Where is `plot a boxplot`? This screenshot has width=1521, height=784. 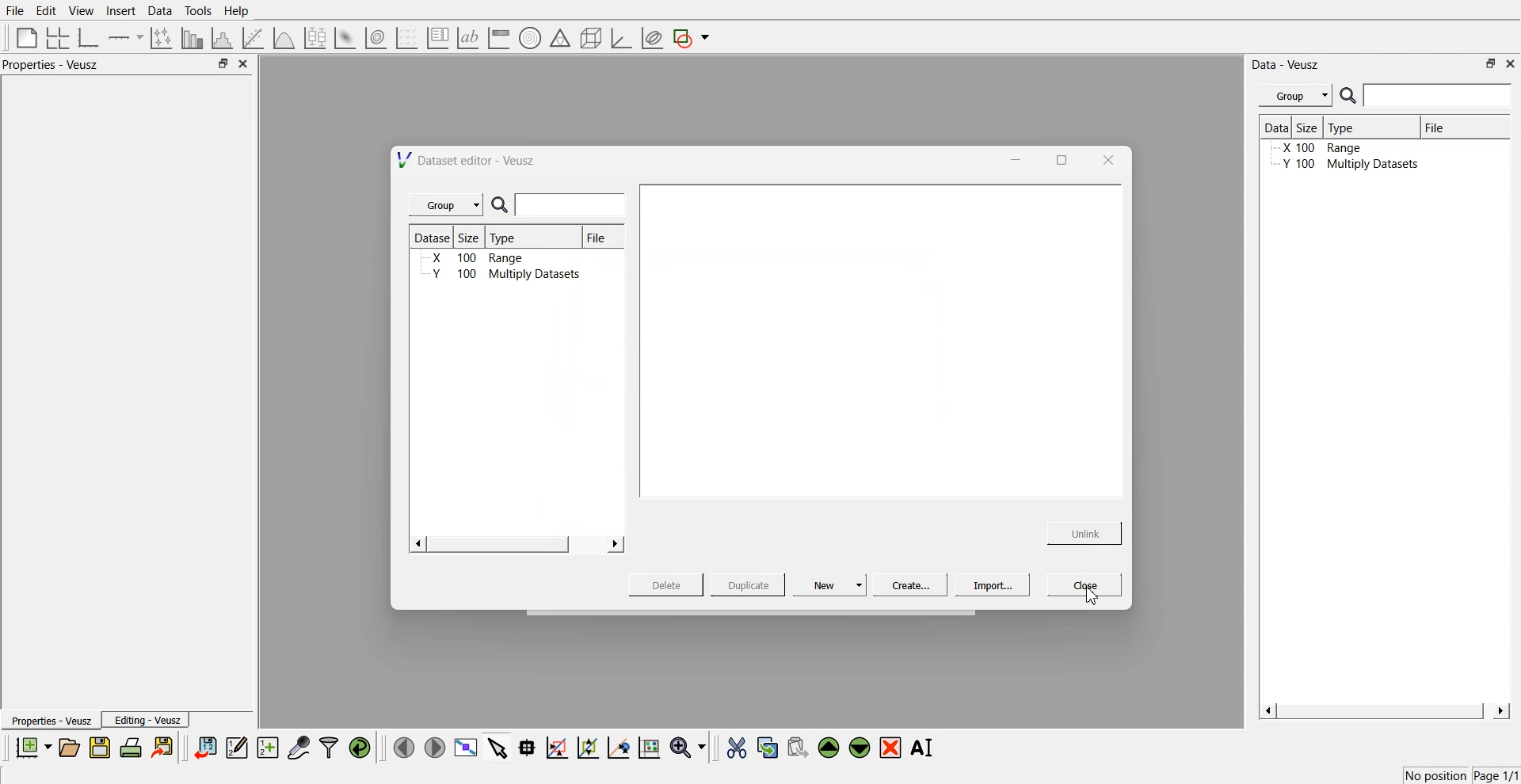 plot a boxplot is located at coordinates (314, 36).